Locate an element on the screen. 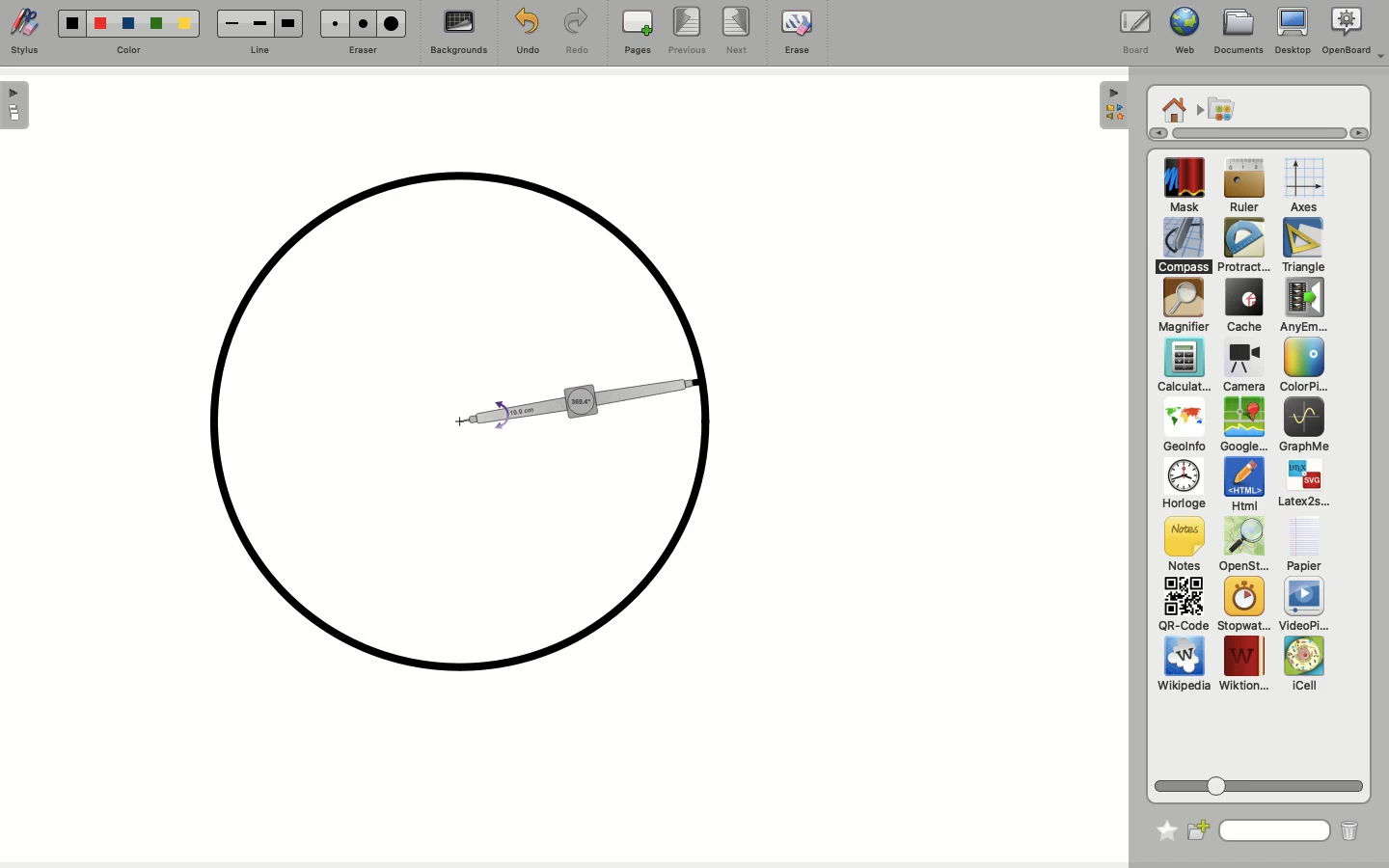  Applications is located at coordinates (1221, 110).